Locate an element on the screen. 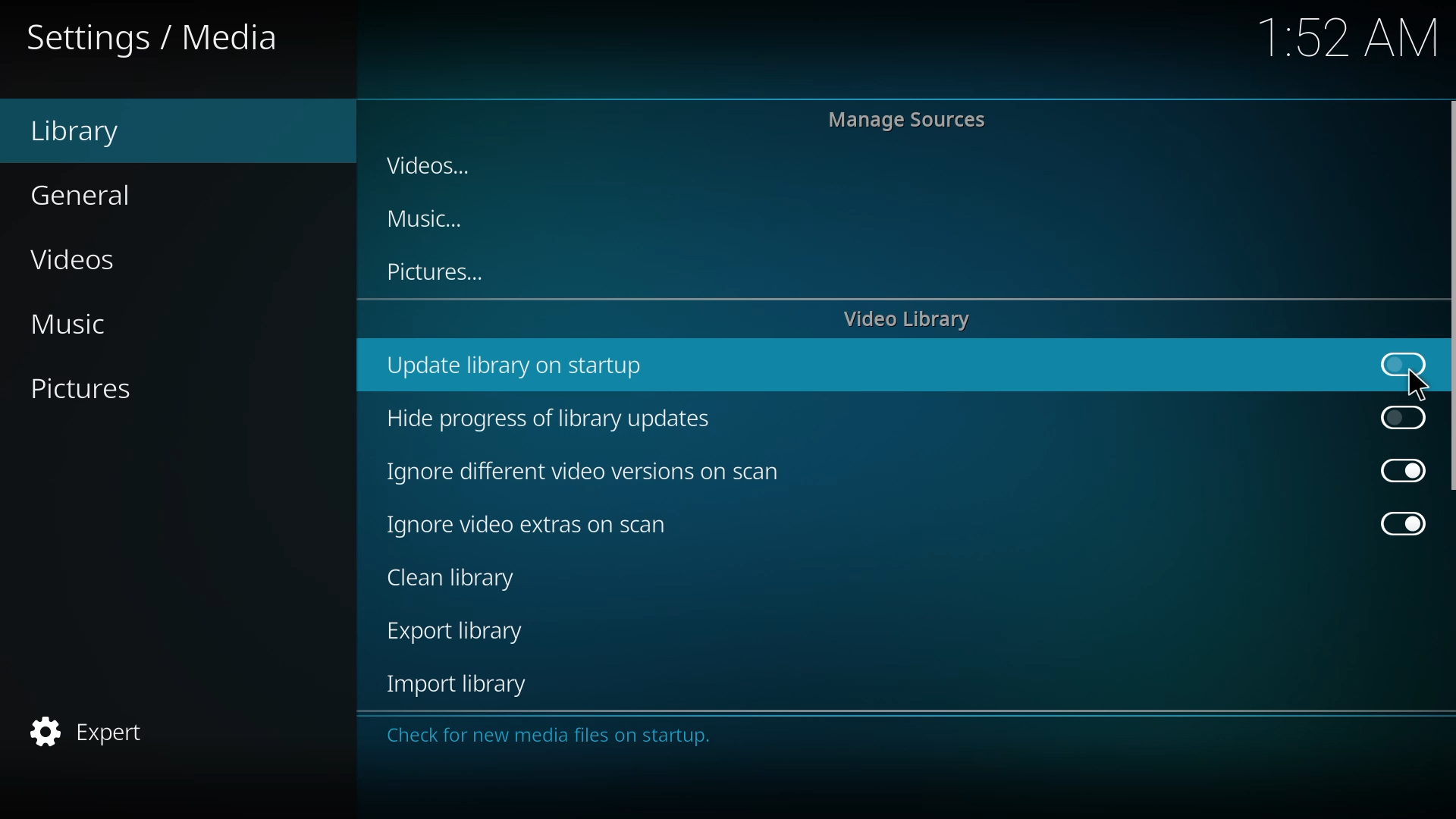  manage sources is located at coordinates (910, 118).